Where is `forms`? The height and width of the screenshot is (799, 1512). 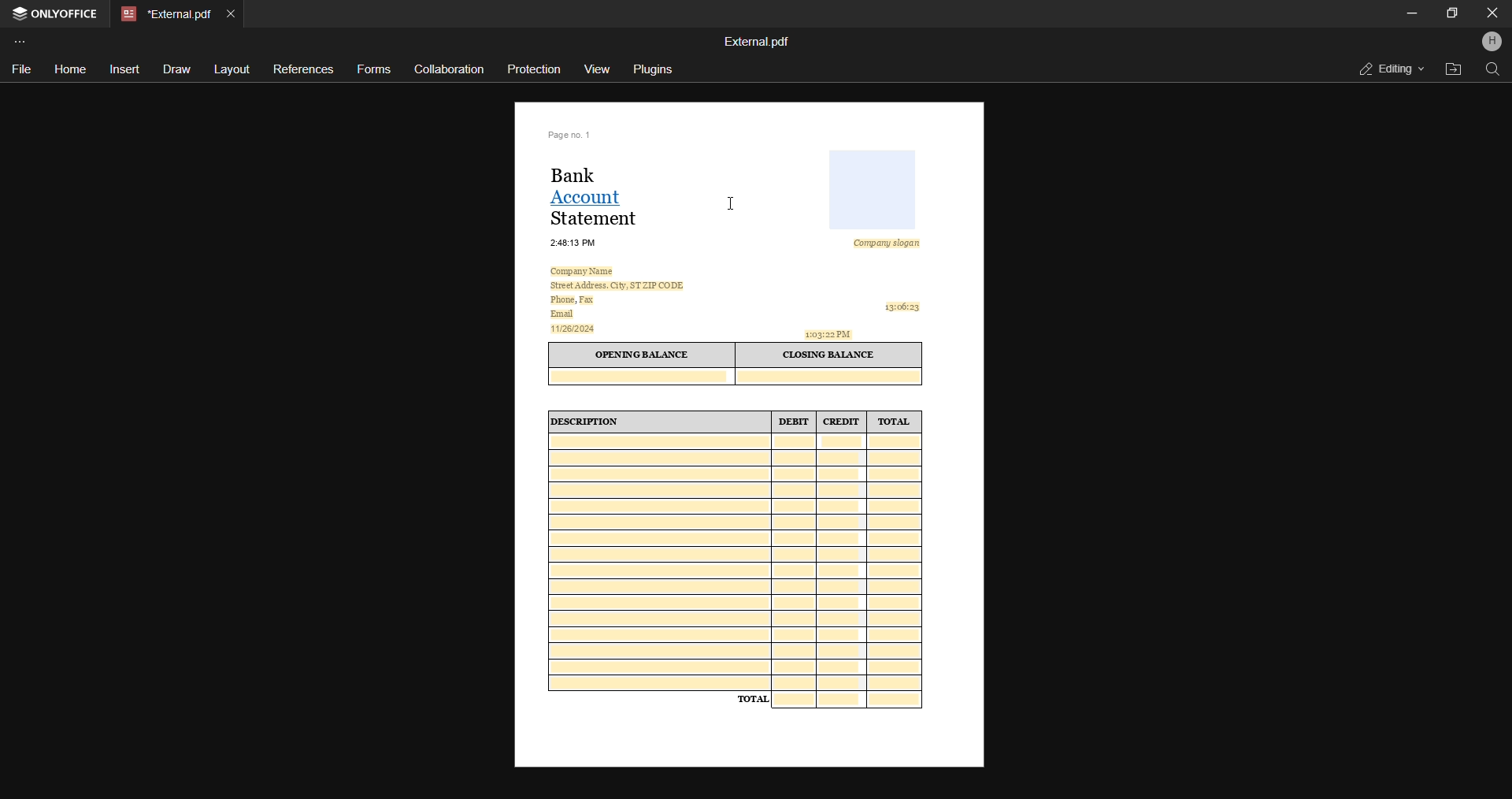 forms is located at coordinates (376, 70).